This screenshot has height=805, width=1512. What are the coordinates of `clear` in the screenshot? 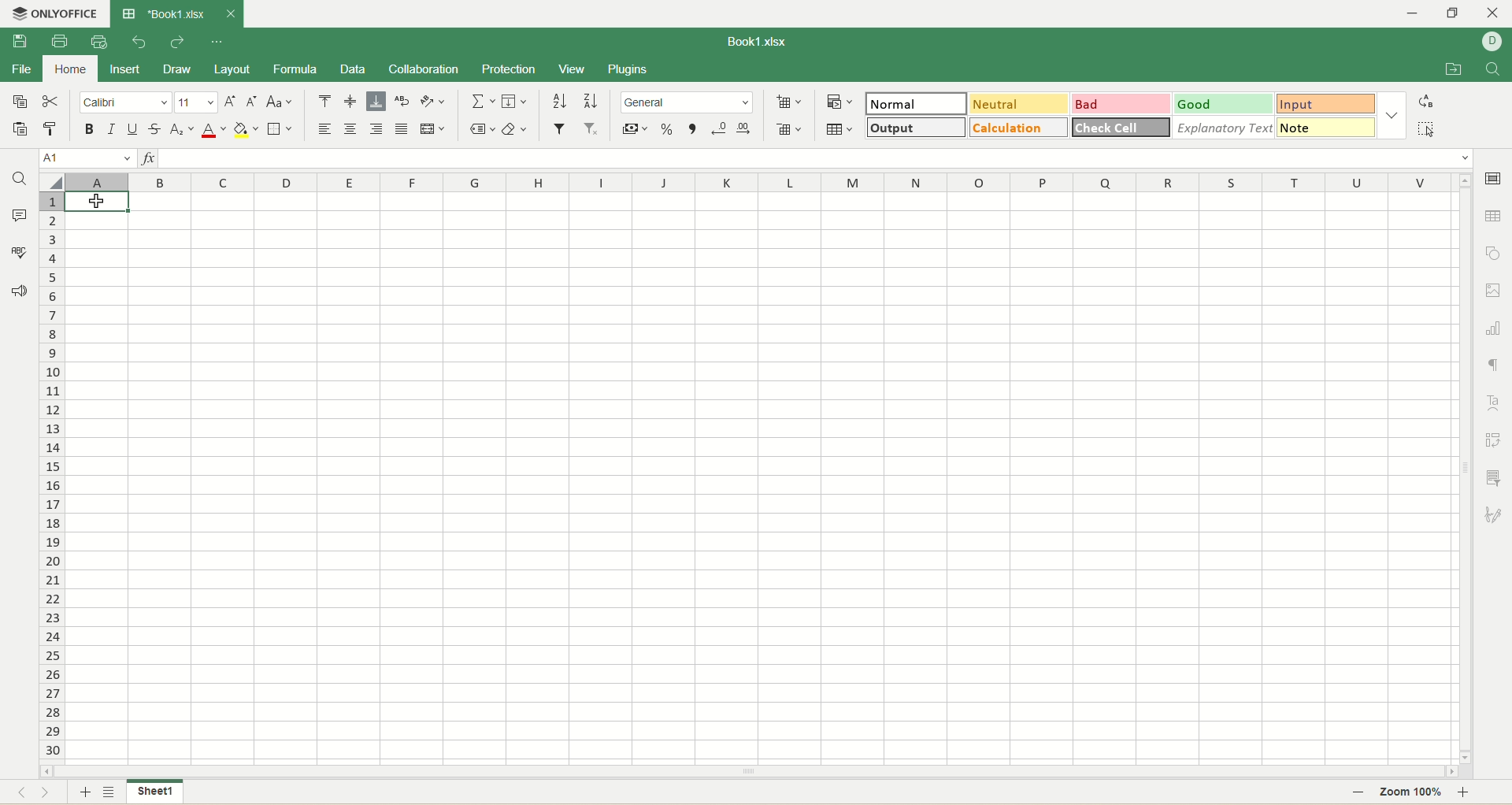 It's located at (514, 128).